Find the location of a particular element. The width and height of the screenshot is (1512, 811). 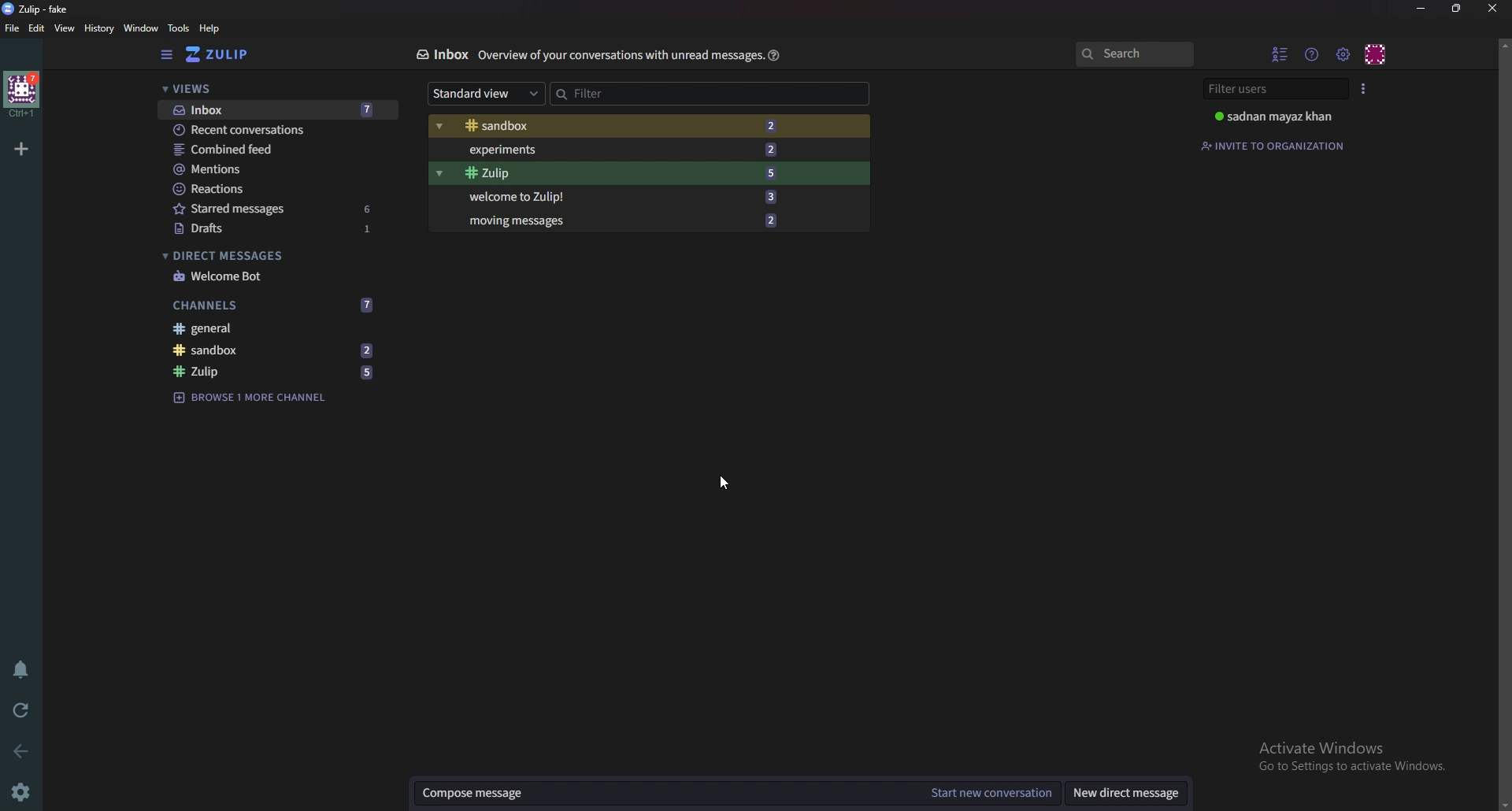

Window is located at coordinates (142, 28).